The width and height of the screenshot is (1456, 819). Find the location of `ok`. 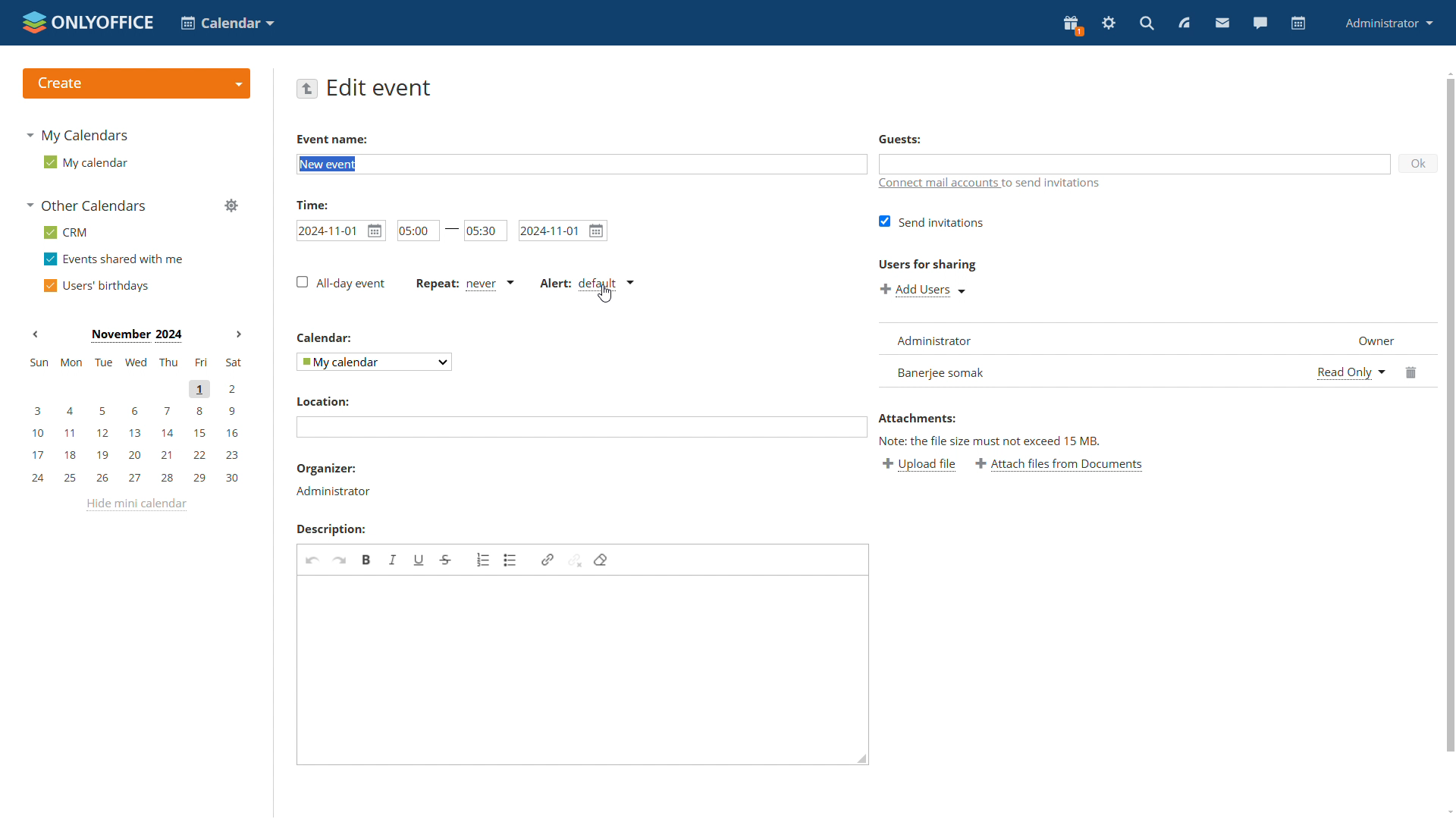

ok is located at coordinates (1420, 163).